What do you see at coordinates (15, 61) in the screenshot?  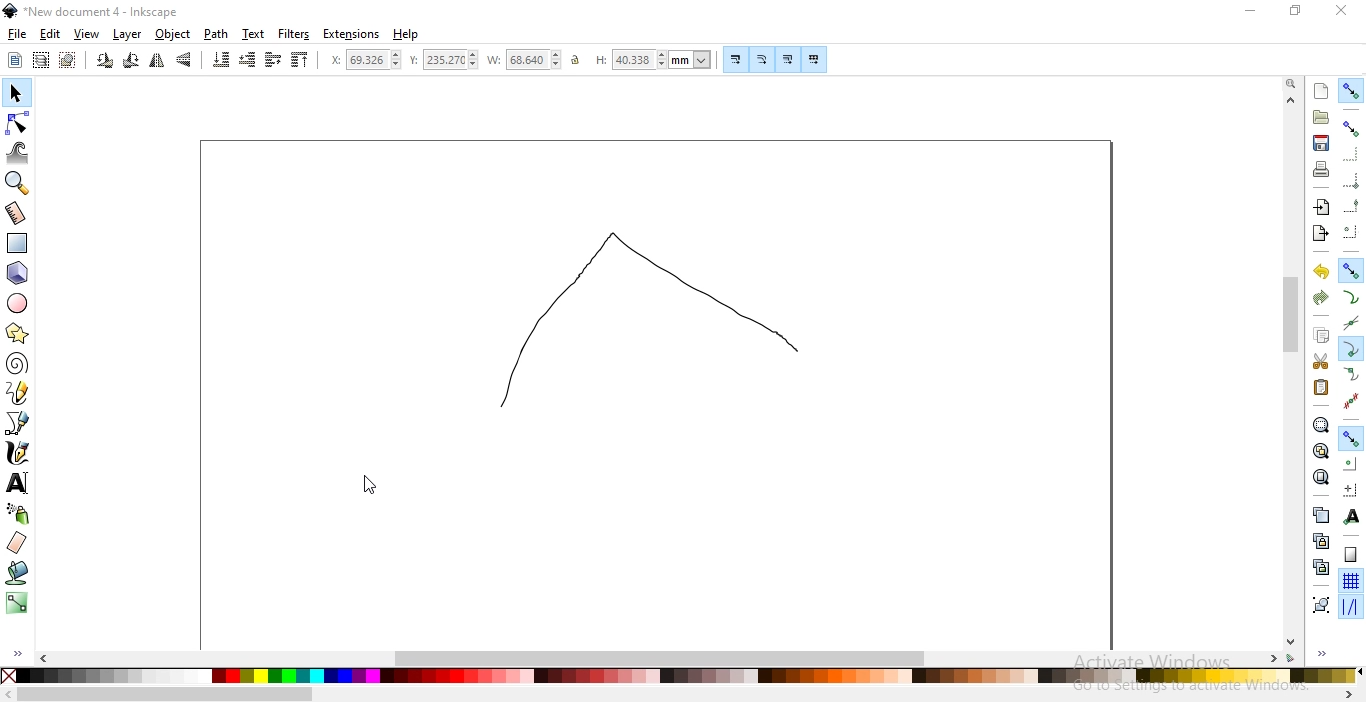 I see `select all objects or all nodes` at bounding box center [15, 61].